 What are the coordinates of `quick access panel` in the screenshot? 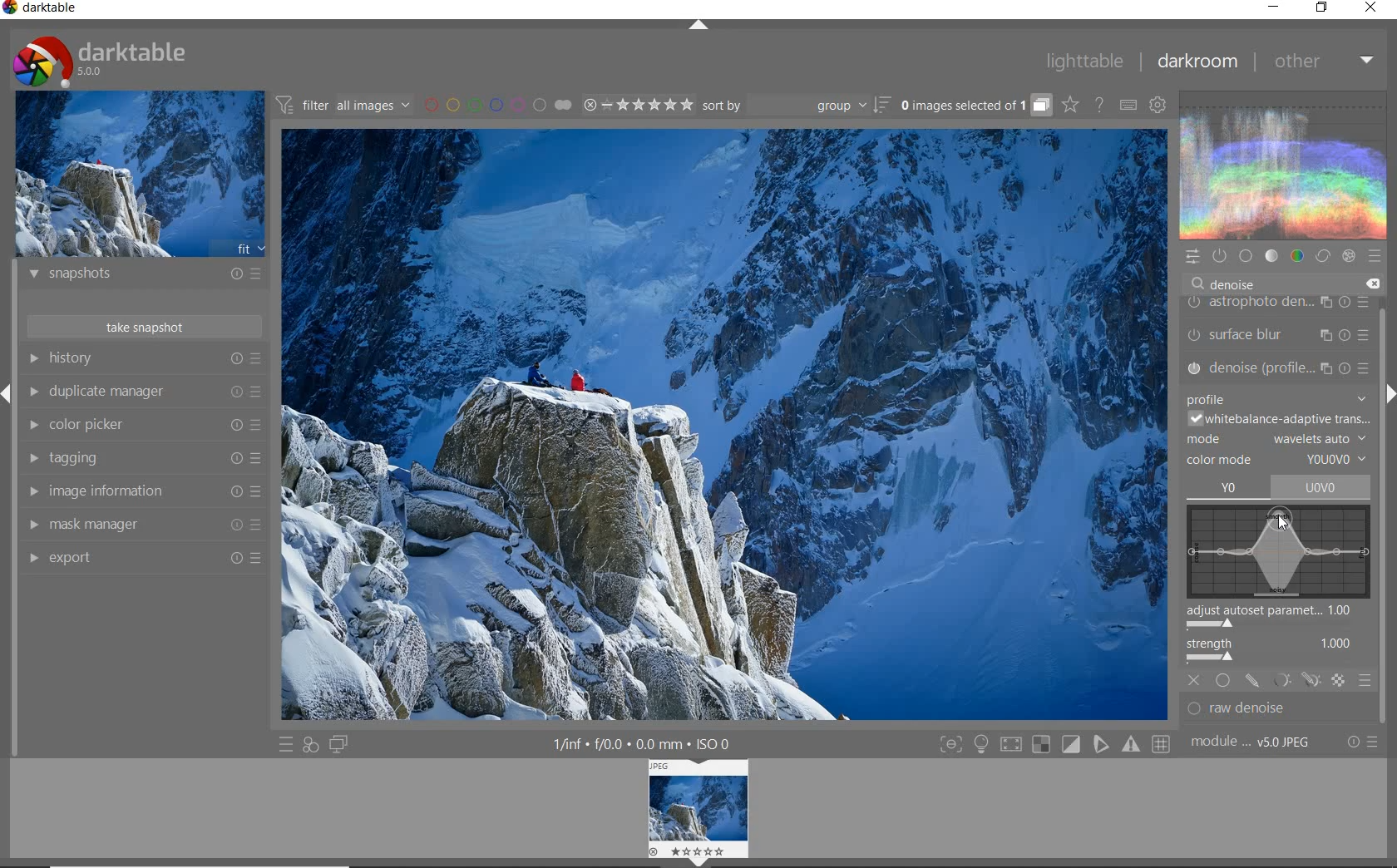 It's located at (1191, 257).